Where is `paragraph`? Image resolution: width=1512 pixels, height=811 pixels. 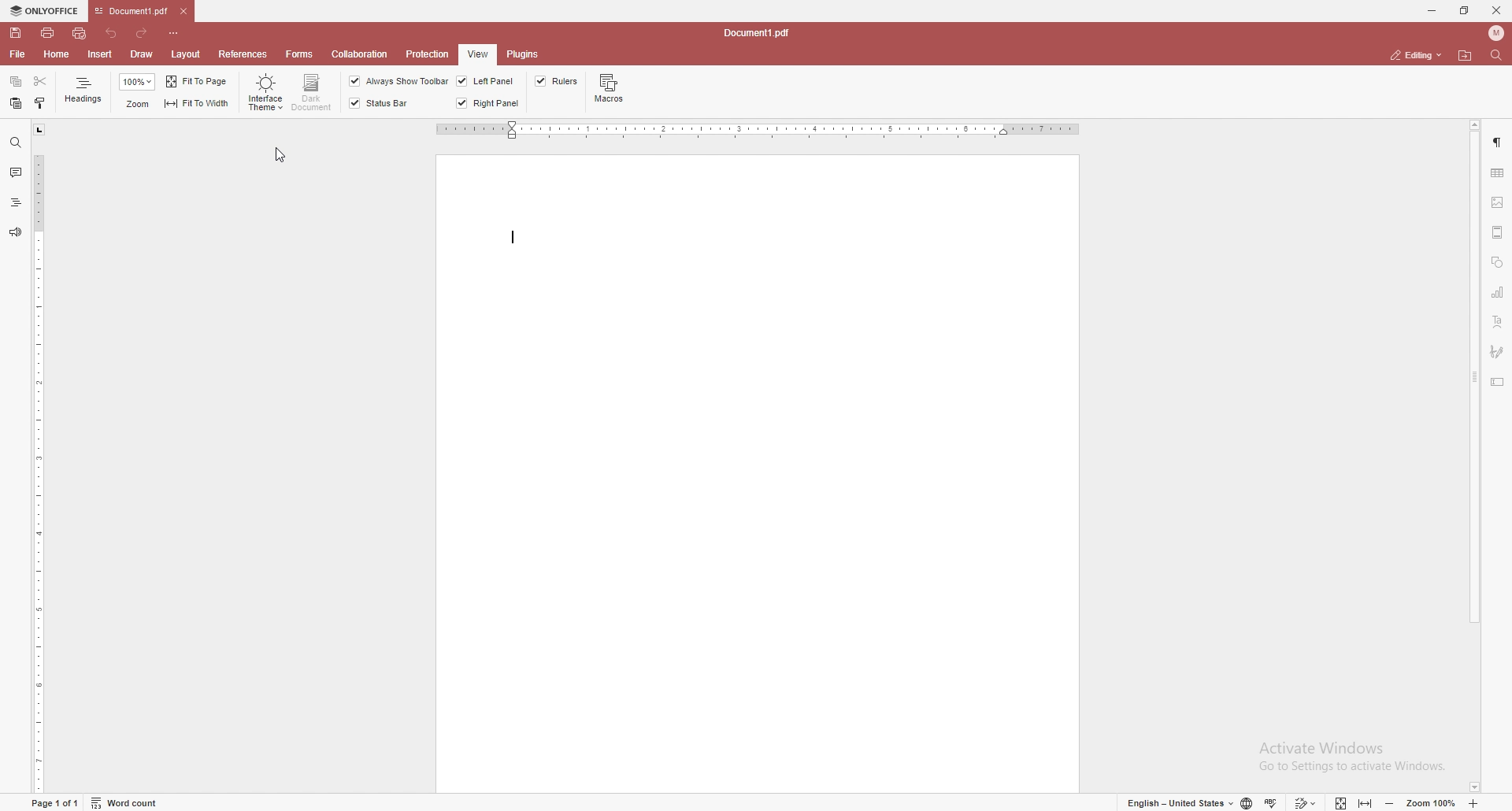 paragraph is located at coordinates (1498, 144).